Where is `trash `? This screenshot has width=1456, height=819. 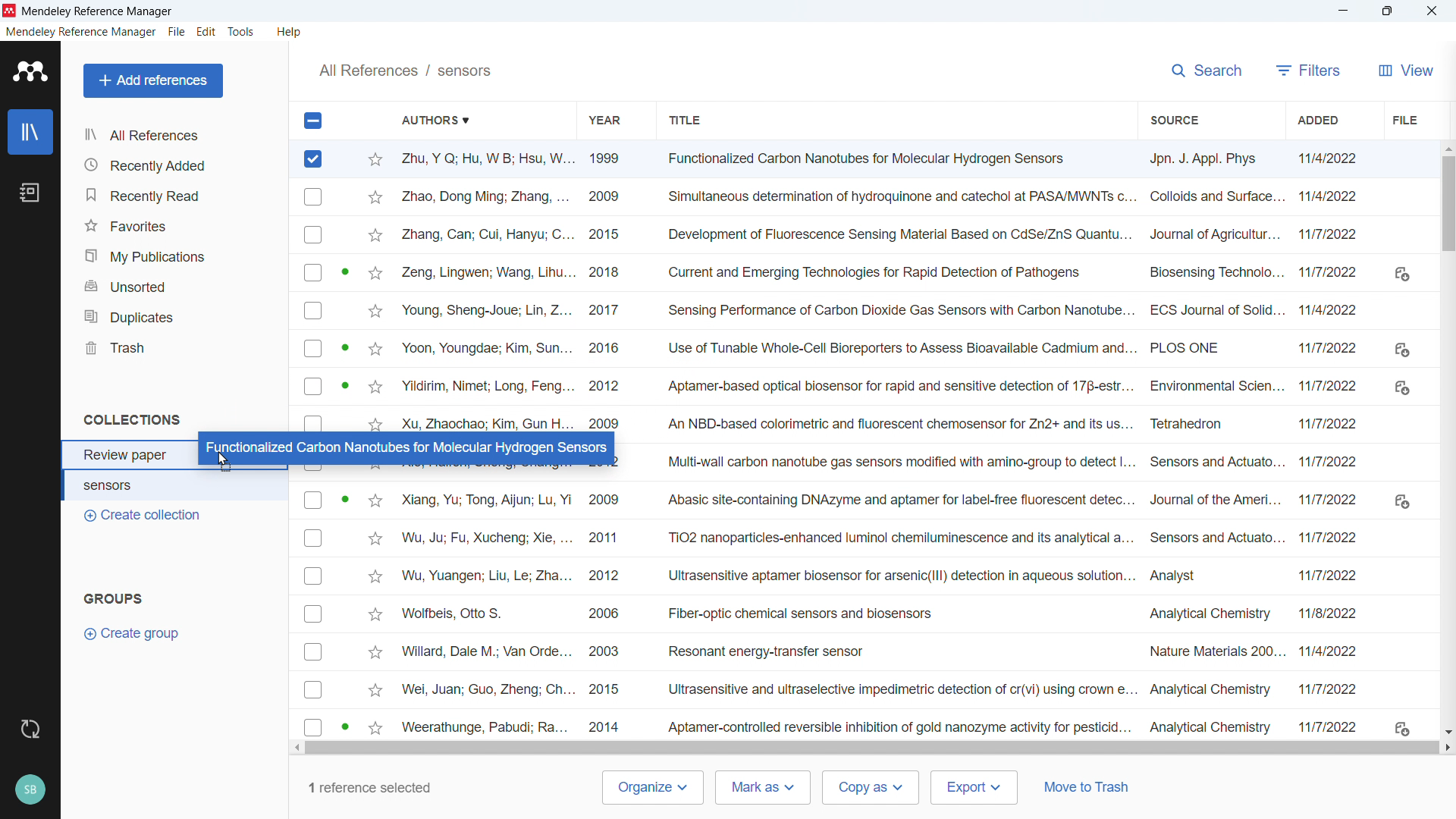 trash  is located at coordinates (177, 348).